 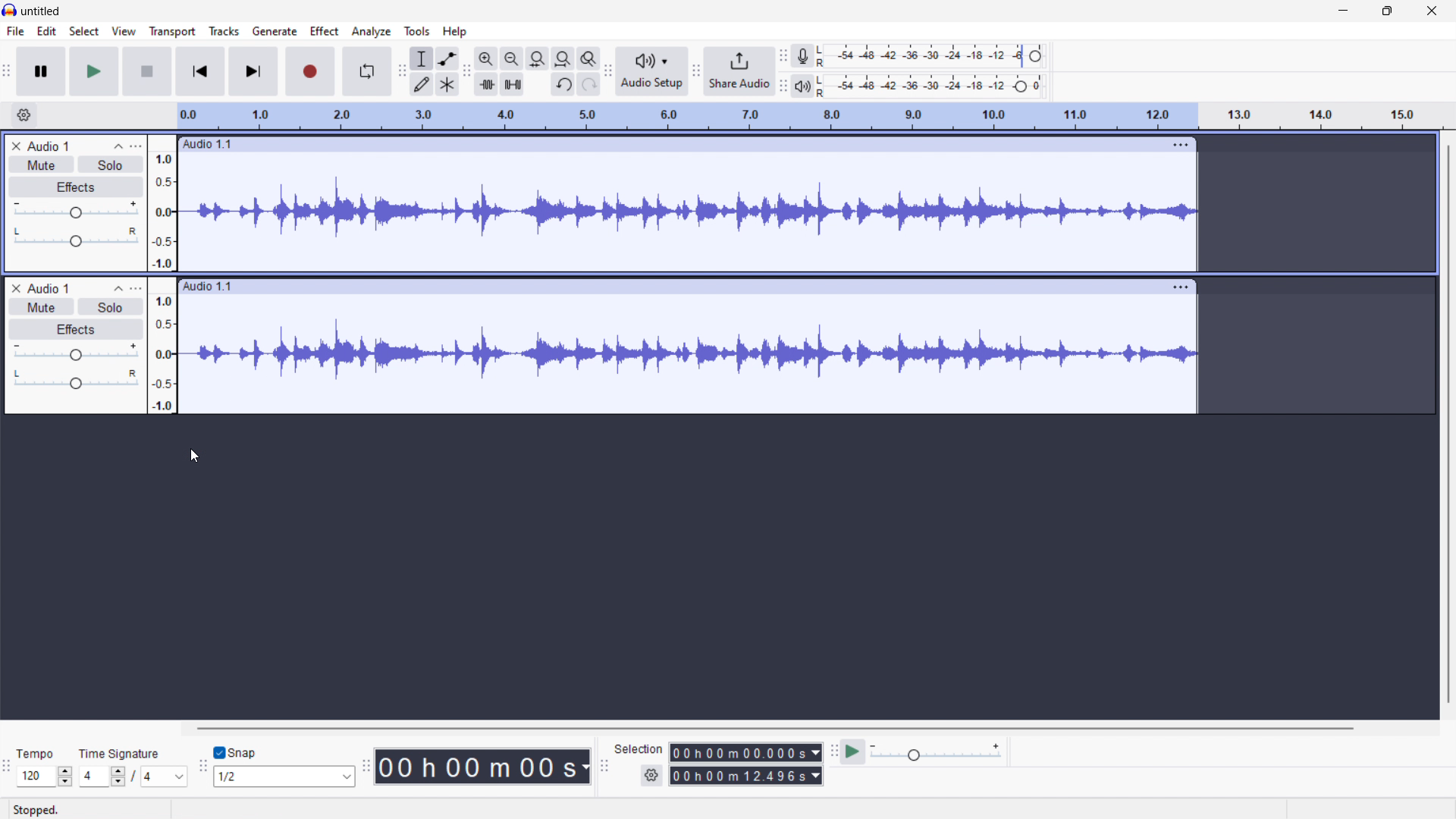 I want to click on audio setup, so click(x=652, y=71).